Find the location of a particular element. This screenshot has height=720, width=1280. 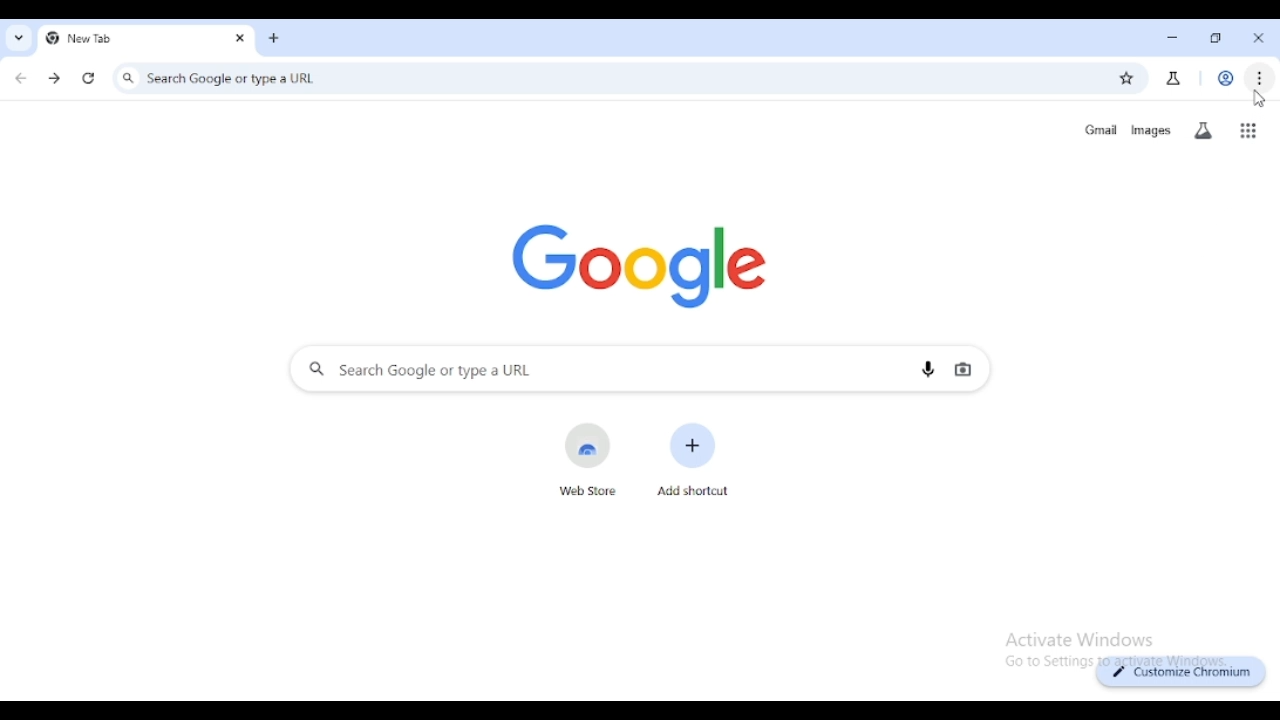

search google or type a URL is located at coordinates (606, 79).